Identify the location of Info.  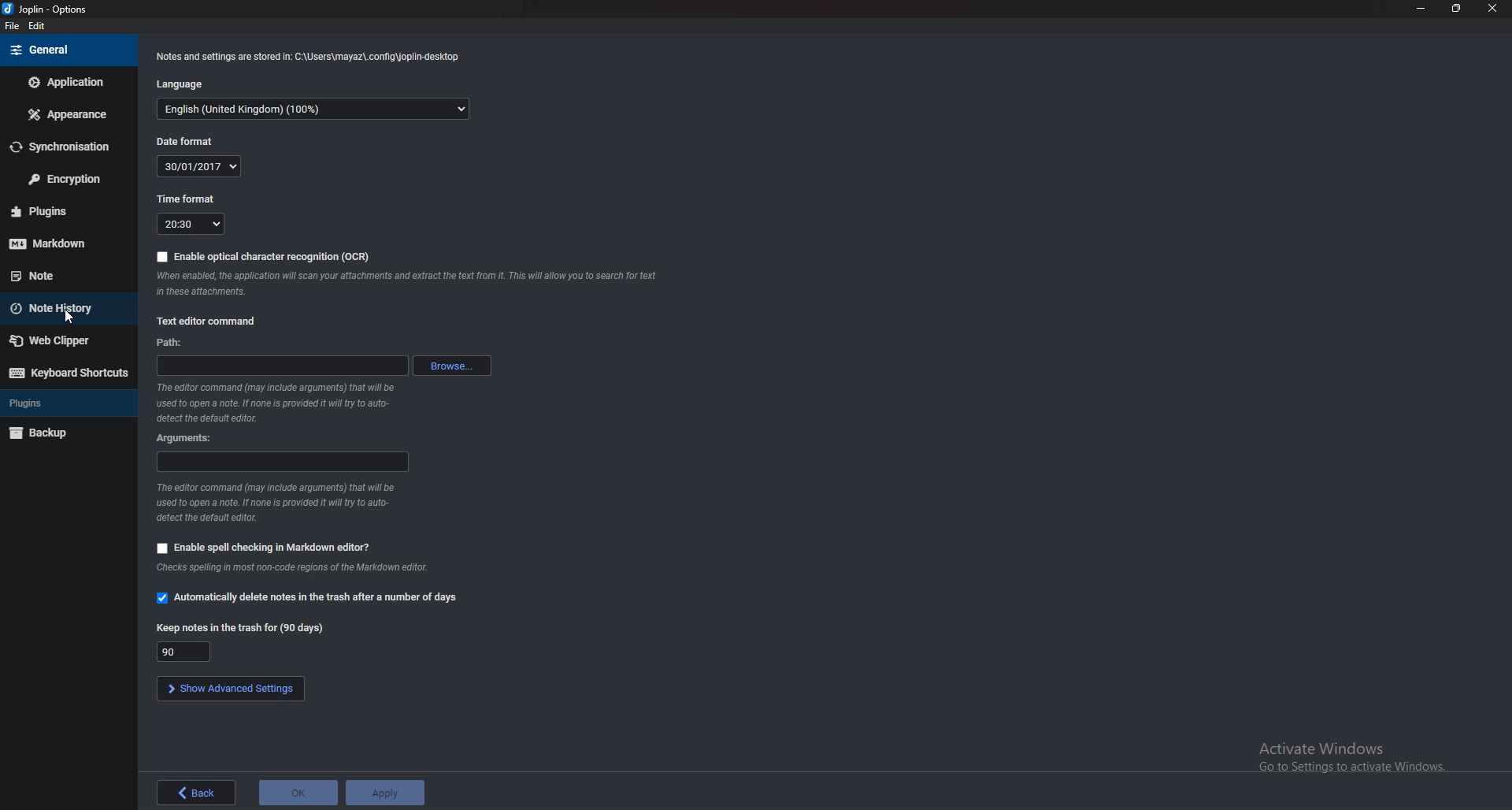
(276, 401).